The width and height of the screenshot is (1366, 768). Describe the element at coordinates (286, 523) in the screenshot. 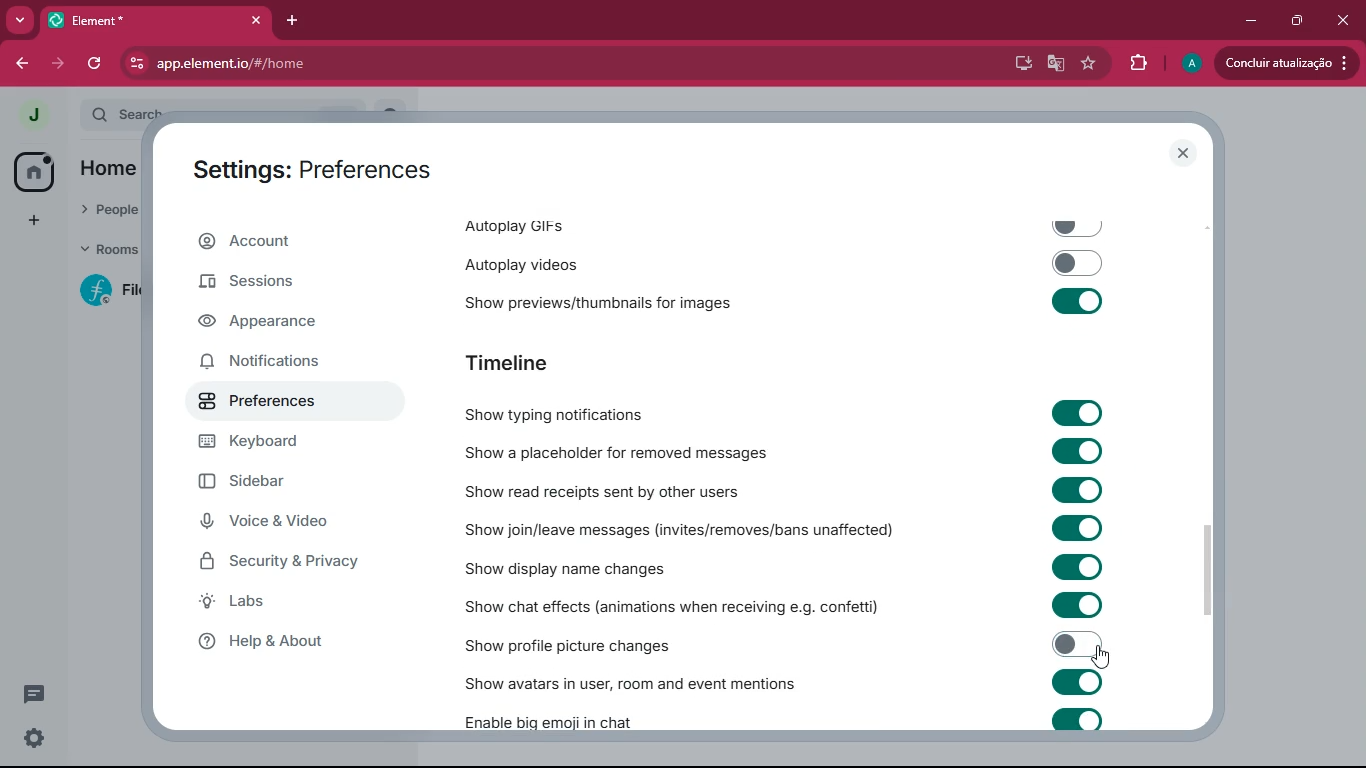

I see `voice & video` at that location.